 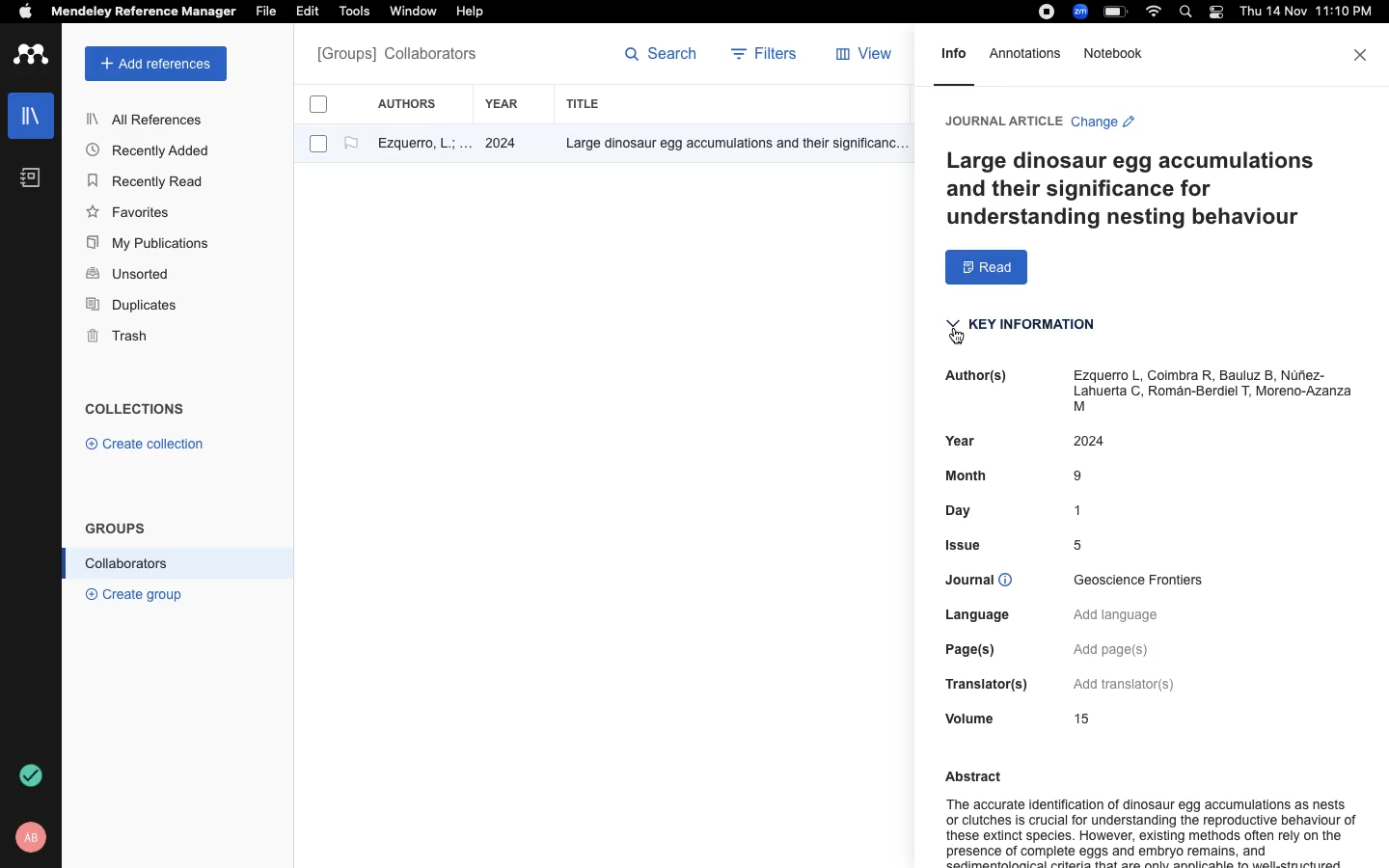 What do you see at coordinates (135, 411) in the screenshot?
I see `COLLECTIONS` at bounding box center [135, 411].